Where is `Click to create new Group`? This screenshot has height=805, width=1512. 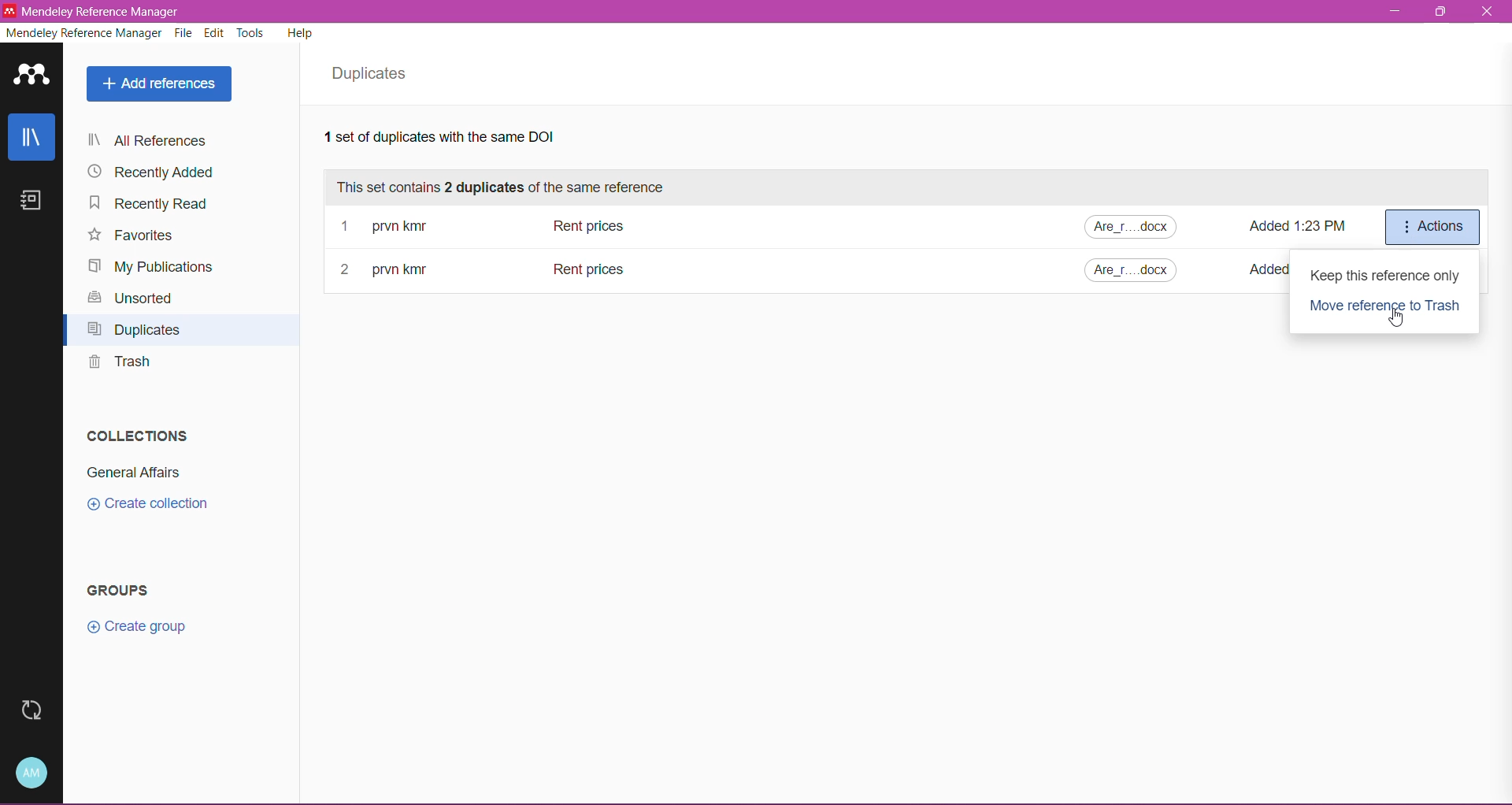 Click to create new Group is located at coordinates (139, 625).